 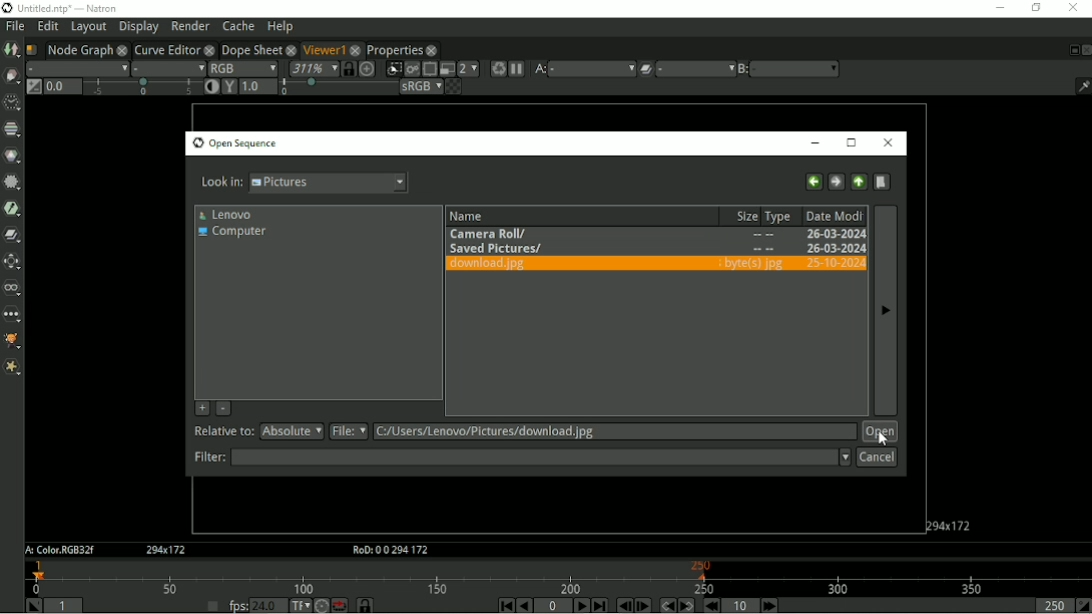 What do you see at coordinates (11, 315) in the screenshot?
I see `Other` at bounding box center [11, 315].